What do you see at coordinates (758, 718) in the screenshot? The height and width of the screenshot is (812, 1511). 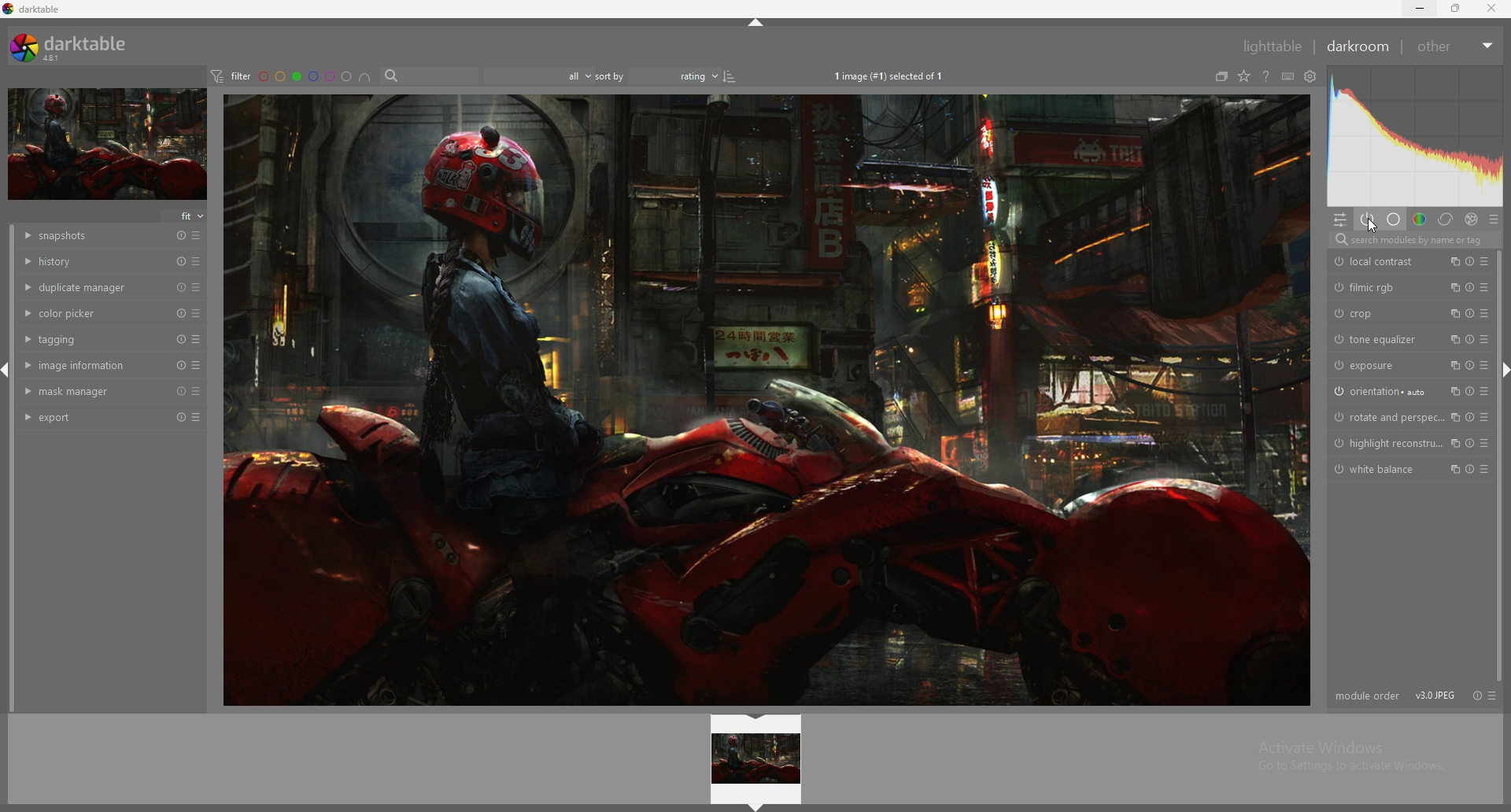 I see `hide` at bounding box center [758, 718].